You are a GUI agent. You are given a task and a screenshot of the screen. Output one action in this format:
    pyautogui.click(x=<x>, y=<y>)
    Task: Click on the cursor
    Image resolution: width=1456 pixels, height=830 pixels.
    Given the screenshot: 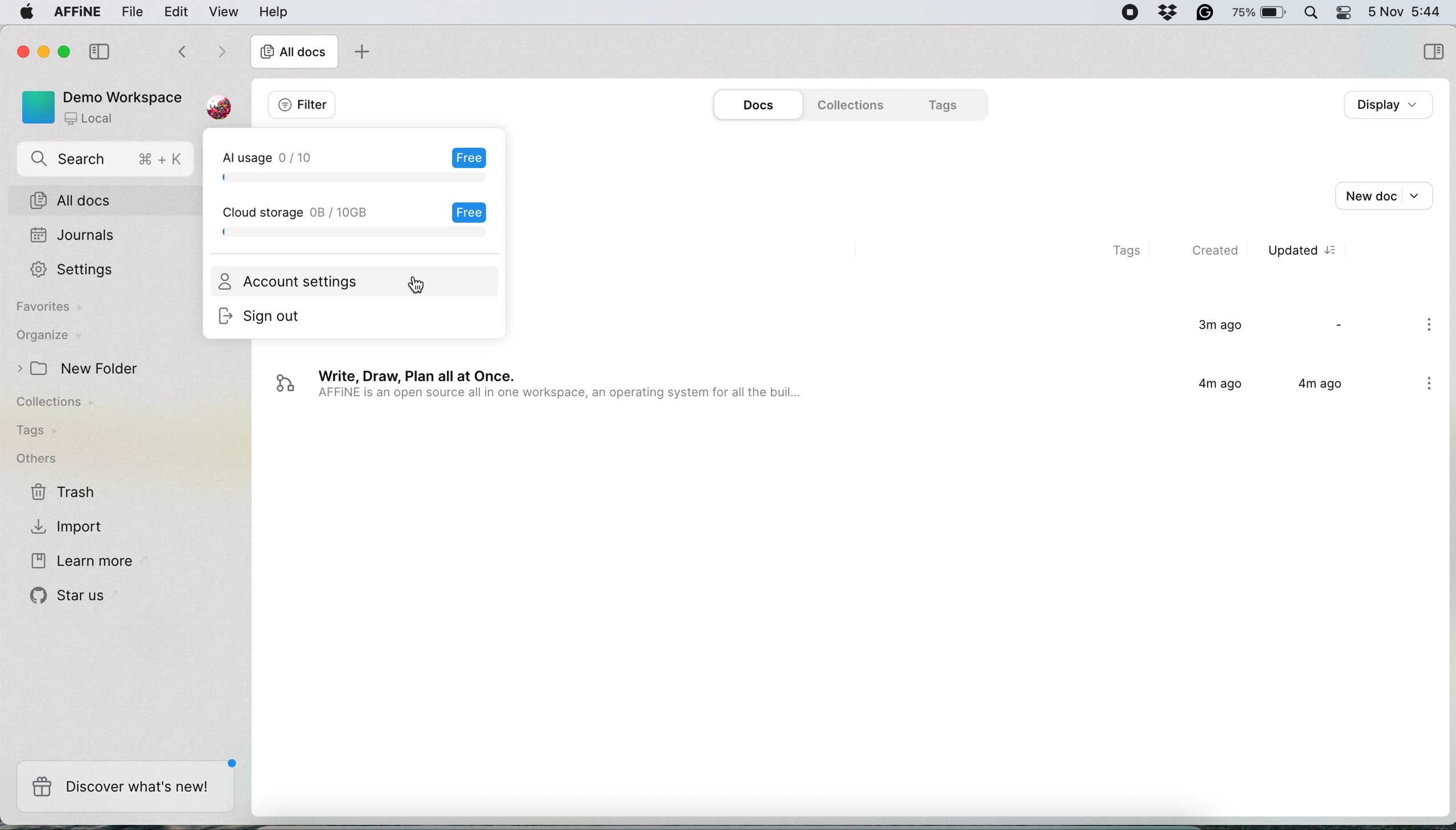 What is the action you would take?
    pyautogui.click(x=416, y=288)
    